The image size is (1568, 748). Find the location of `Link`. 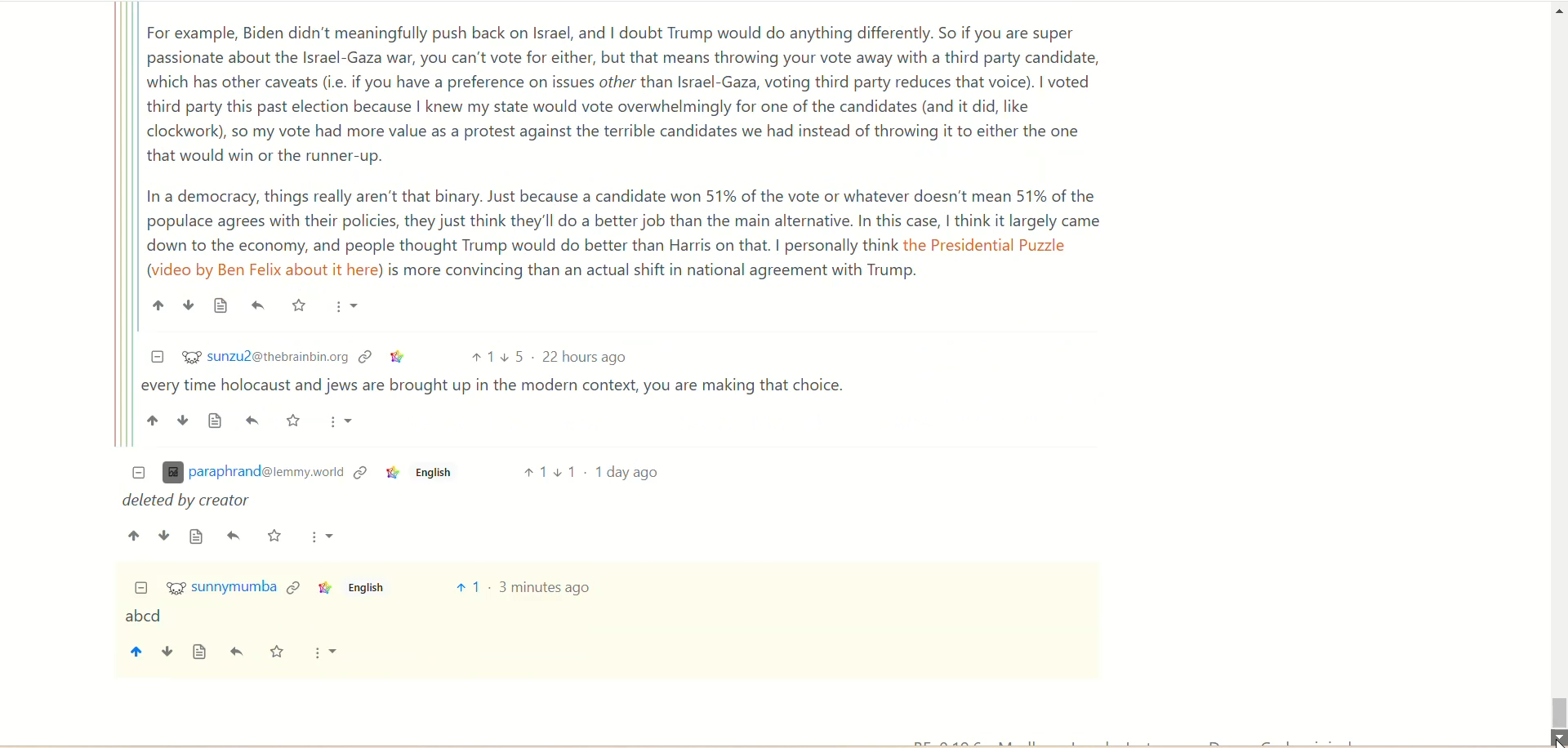

Link is located at coordinates (366, 359).